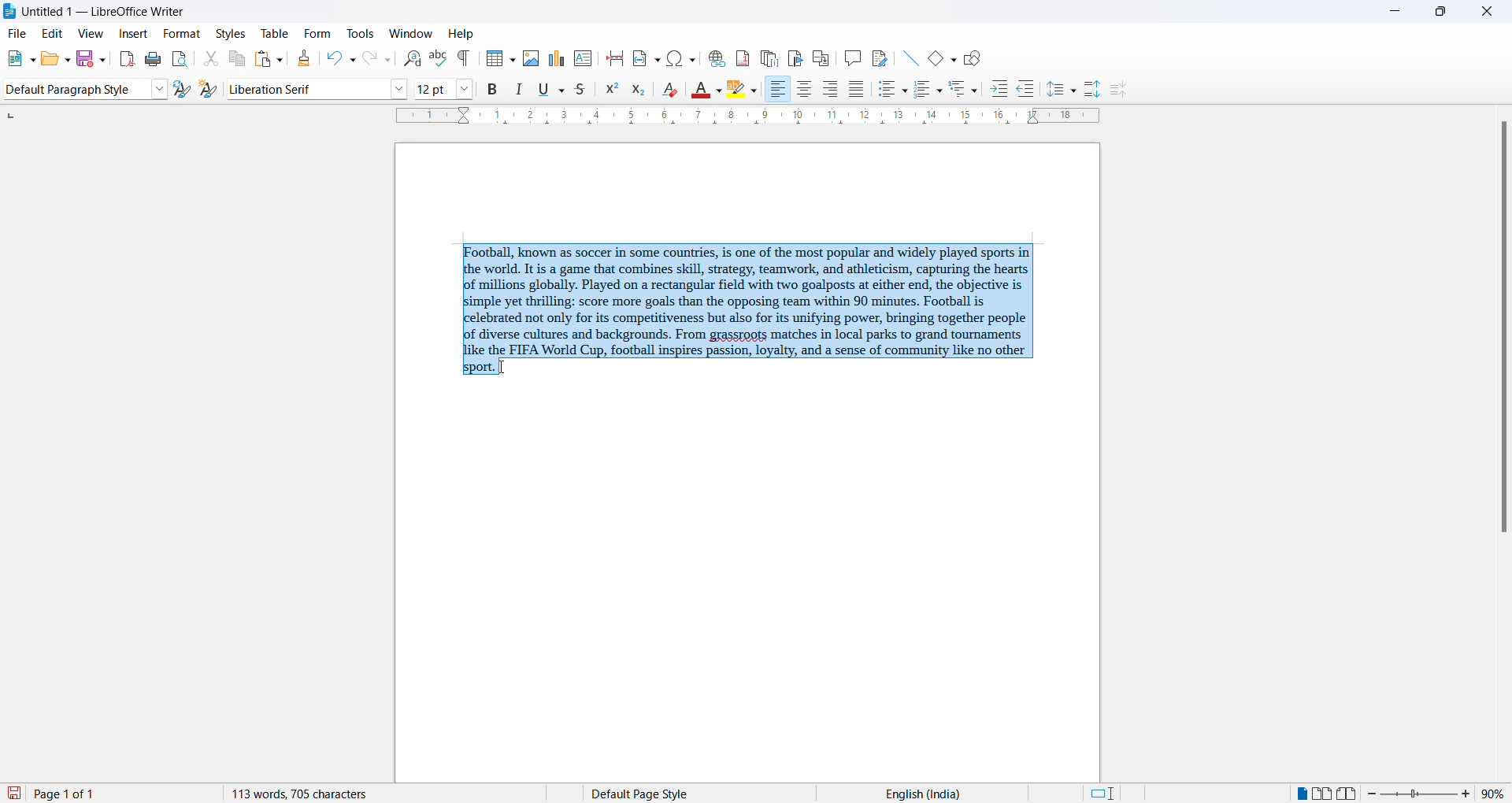 Image resolution: width=1512 pixels, height=803 pixels. I want to click on justified, so click(857, 89).